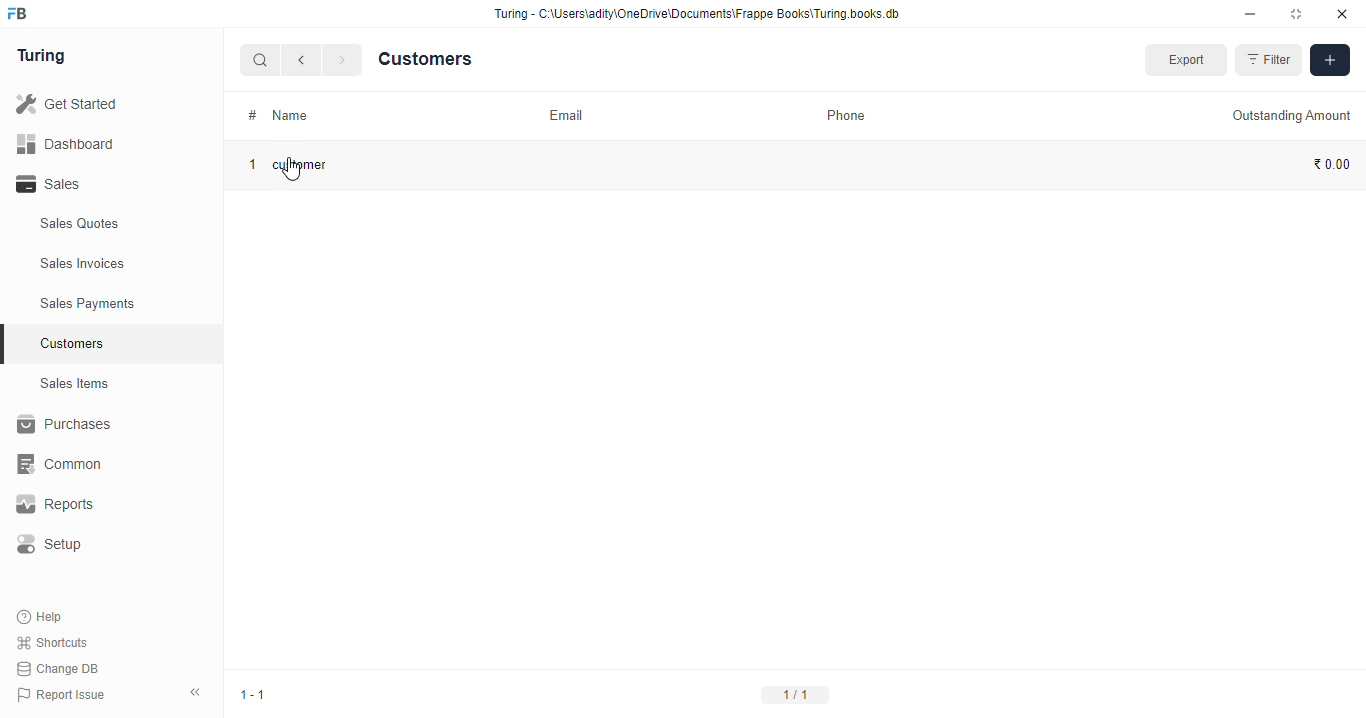 This screenshot has width=1366, height=718. I want to click on 1 customer, so click(292, 162).